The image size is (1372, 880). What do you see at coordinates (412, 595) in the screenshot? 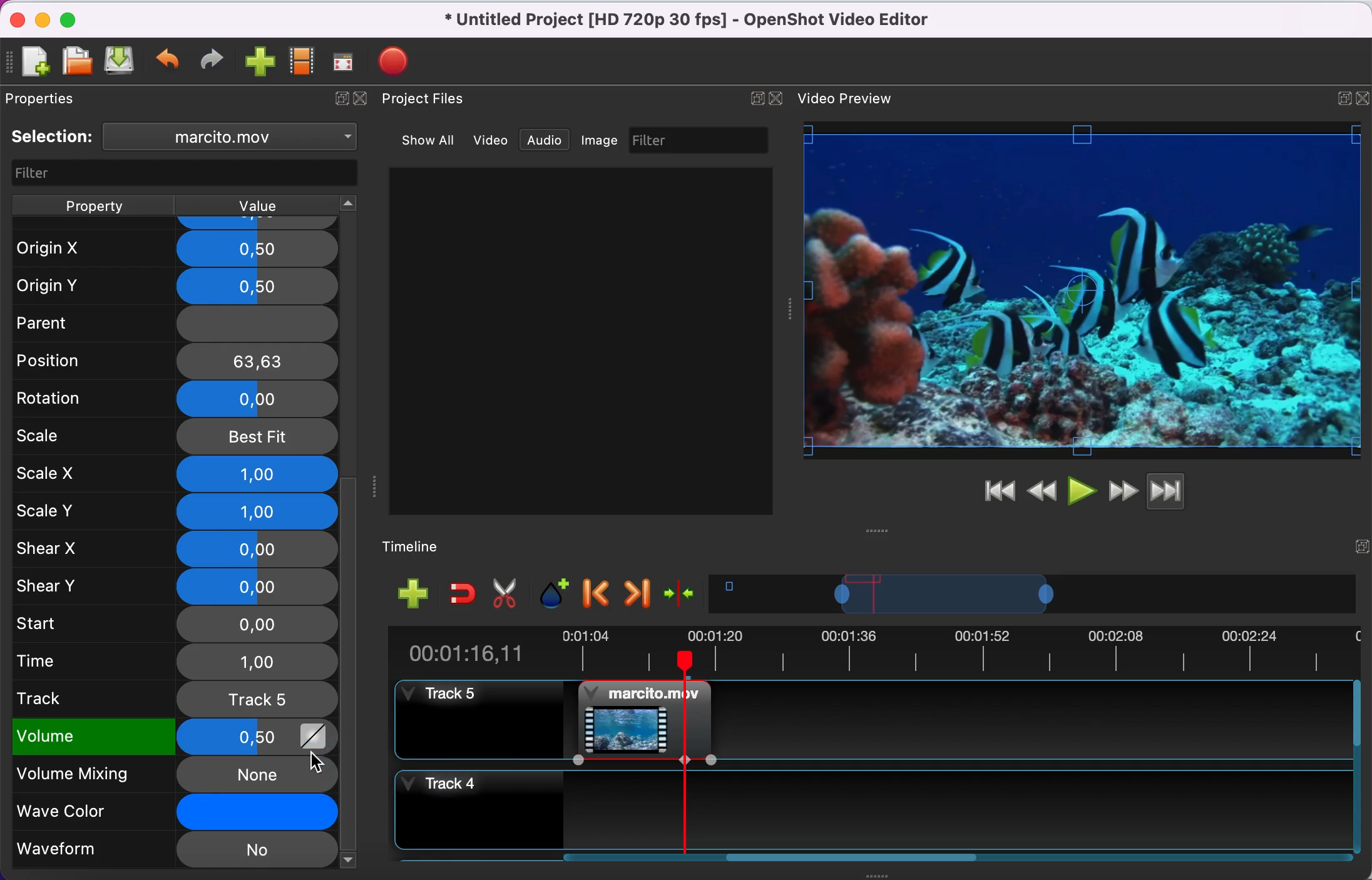
I see `add track` at bounding box center [412, 595].